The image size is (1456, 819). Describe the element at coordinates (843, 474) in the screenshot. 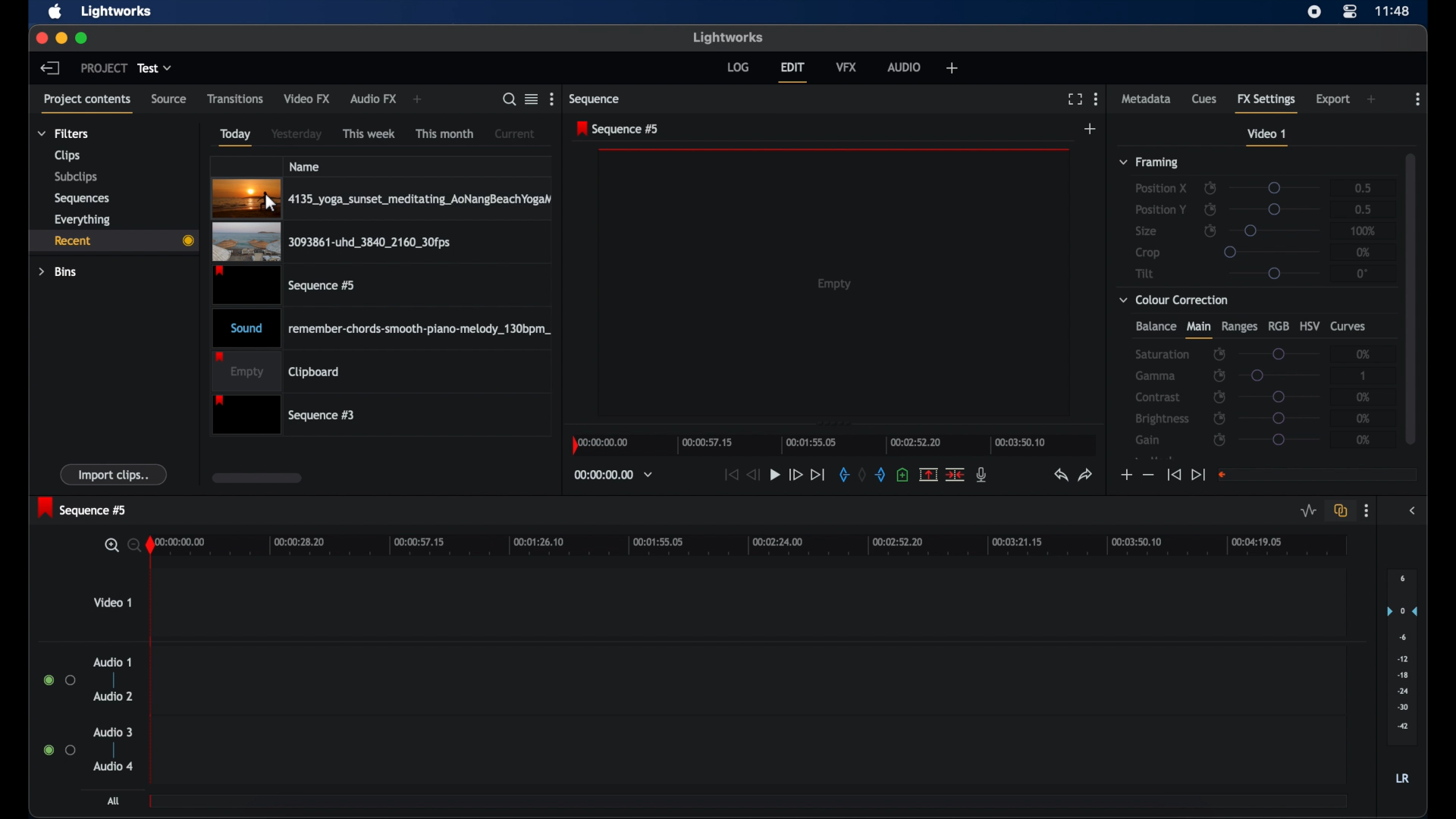

I see `in mark` at that location.